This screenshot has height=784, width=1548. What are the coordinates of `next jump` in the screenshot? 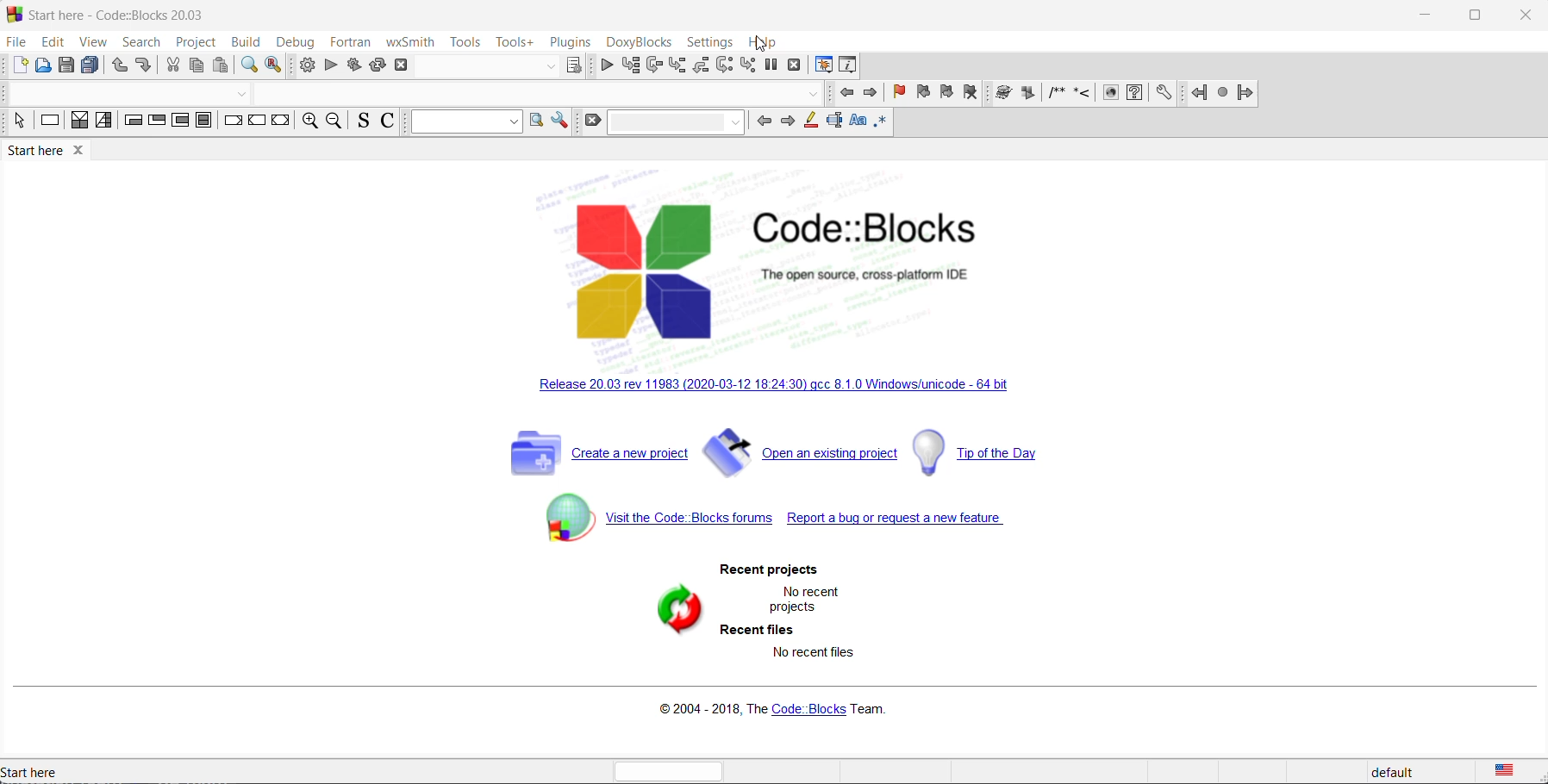 It's located at (1222, 95).